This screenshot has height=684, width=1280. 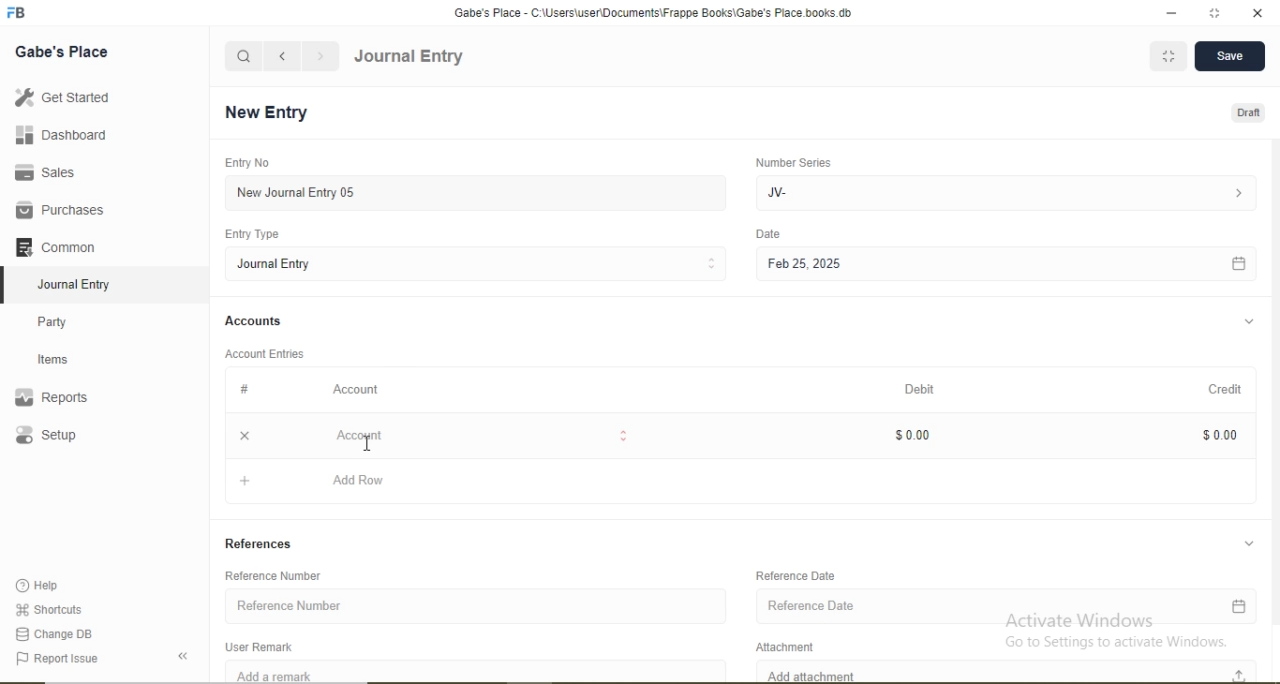 I want to click on cursor, so click(x=368, y=443).